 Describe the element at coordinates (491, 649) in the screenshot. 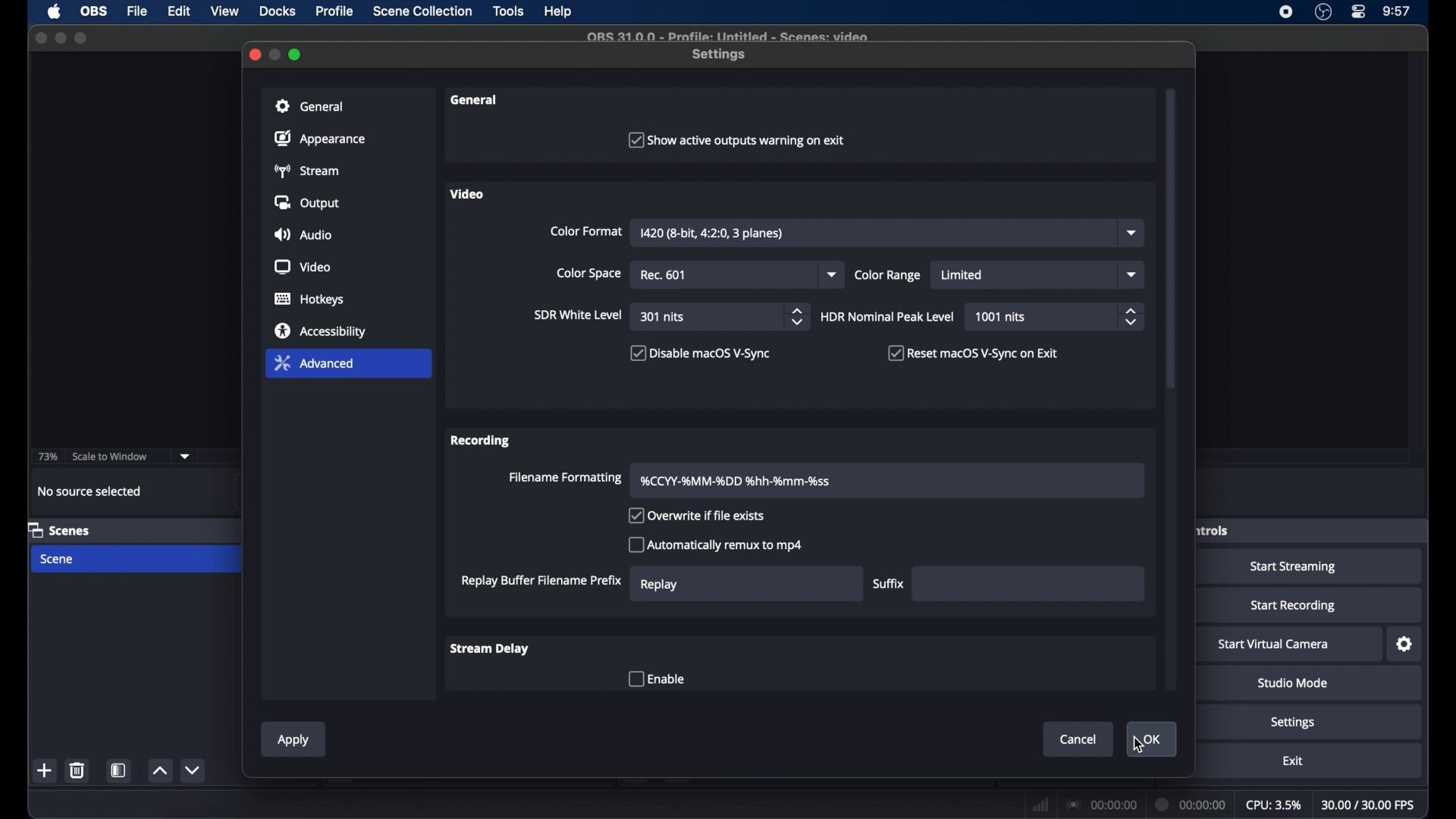

I see `stream delay` at that location.